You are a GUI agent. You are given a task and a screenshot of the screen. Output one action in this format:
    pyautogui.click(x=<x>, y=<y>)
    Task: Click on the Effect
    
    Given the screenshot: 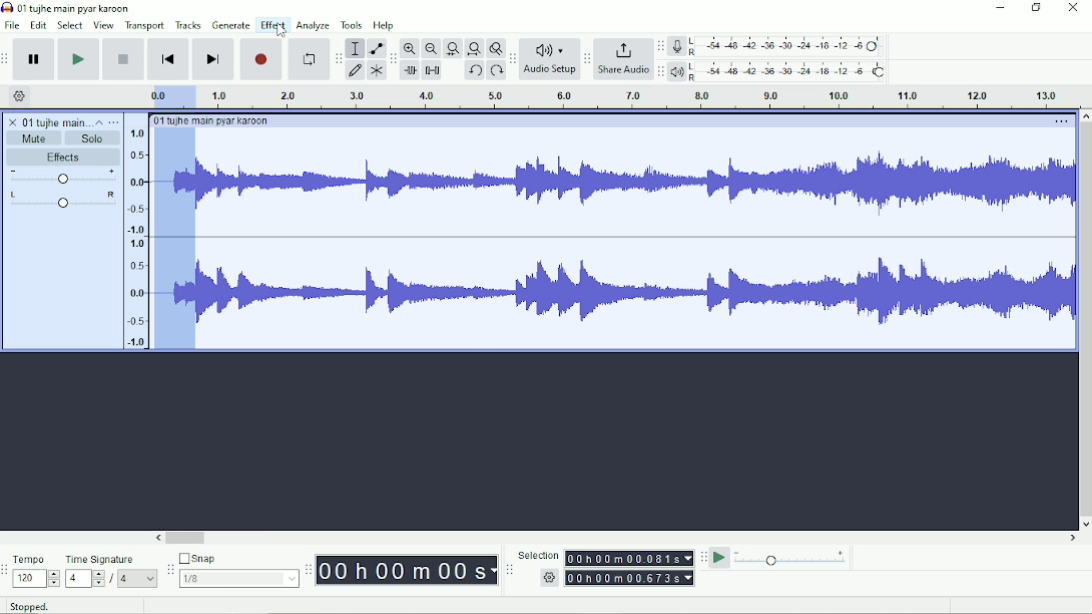 What is the action you would take?
    pyautogui.click(x=272, y=24)
    